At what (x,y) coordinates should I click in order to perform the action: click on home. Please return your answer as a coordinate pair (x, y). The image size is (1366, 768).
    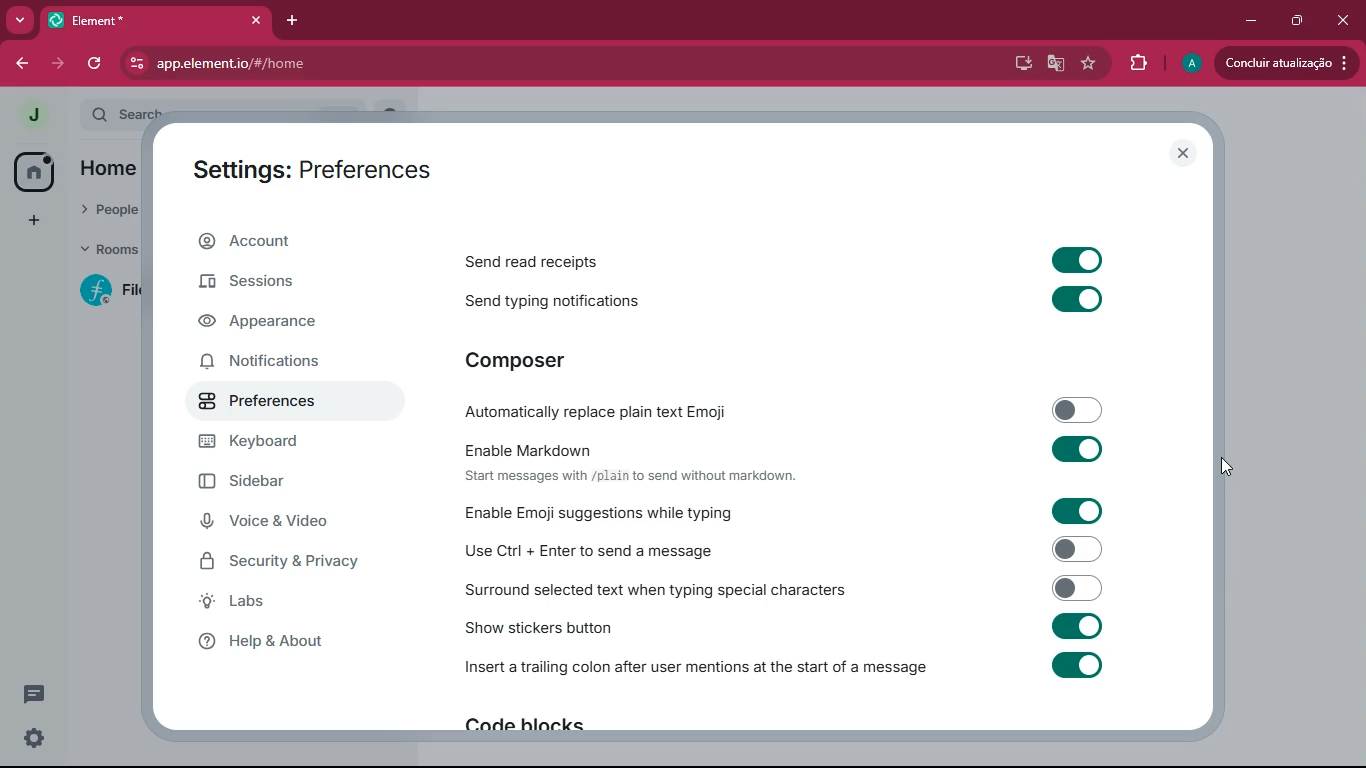
    Looking at the image, I should click on (114, 171).